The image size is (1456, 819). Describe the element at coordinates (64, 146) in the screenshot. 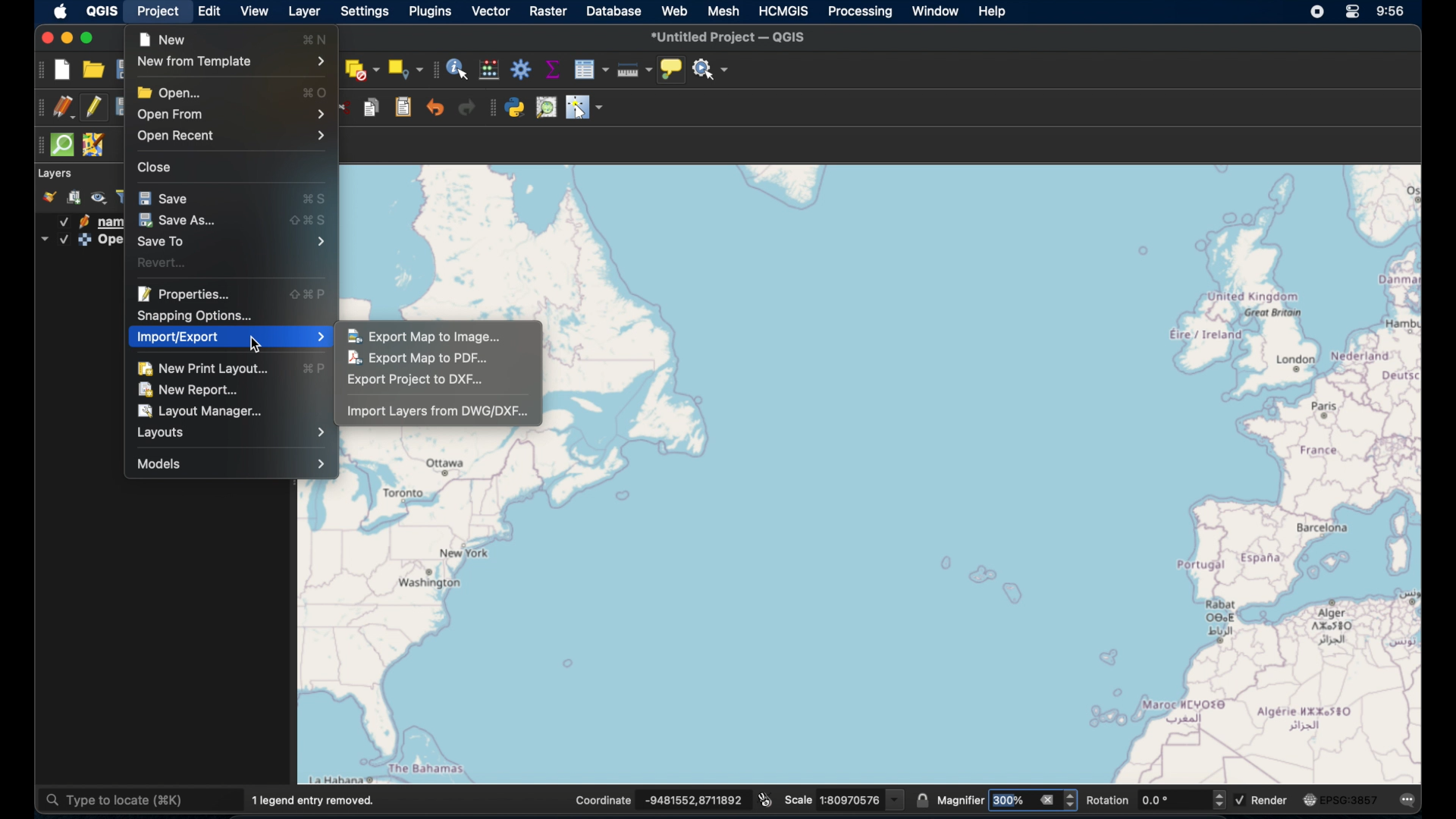

I see `quick som` at that location.